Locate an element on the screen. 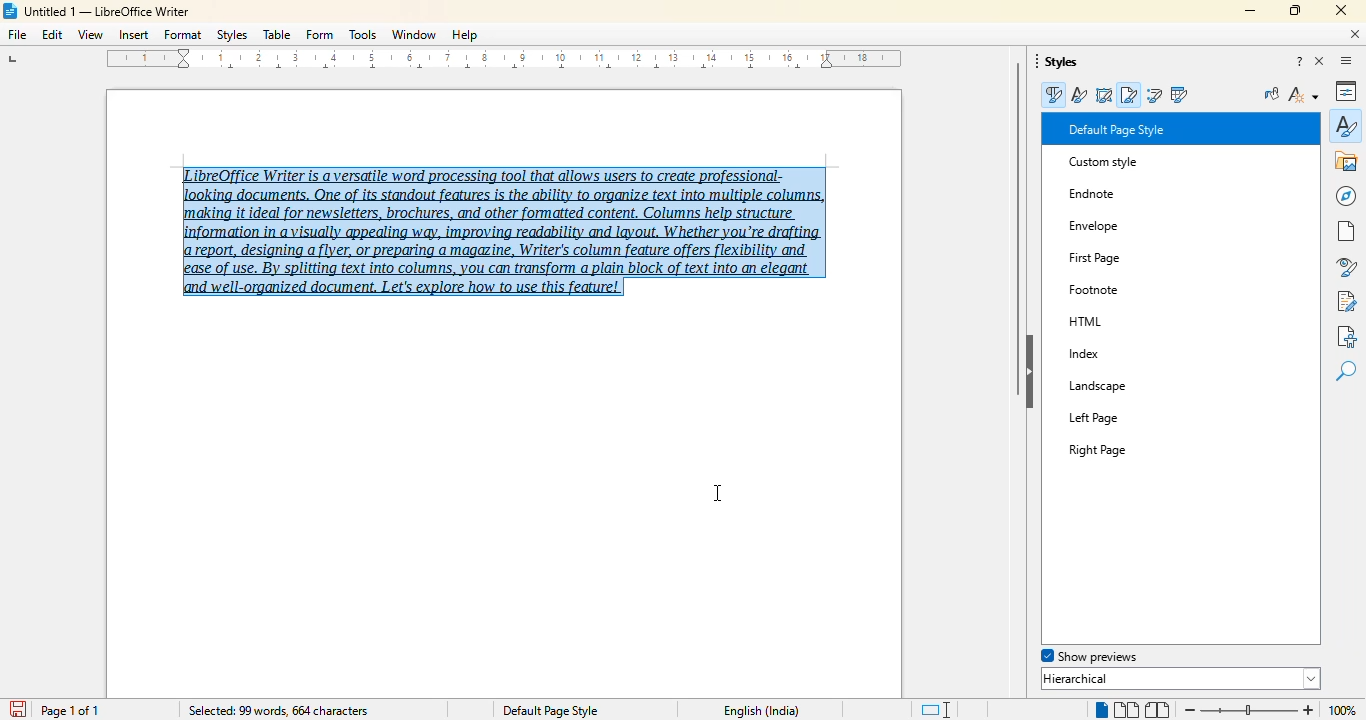 The image size is (1366, 720). 100% (change zoom level) is located at coordinates (1345, 711).